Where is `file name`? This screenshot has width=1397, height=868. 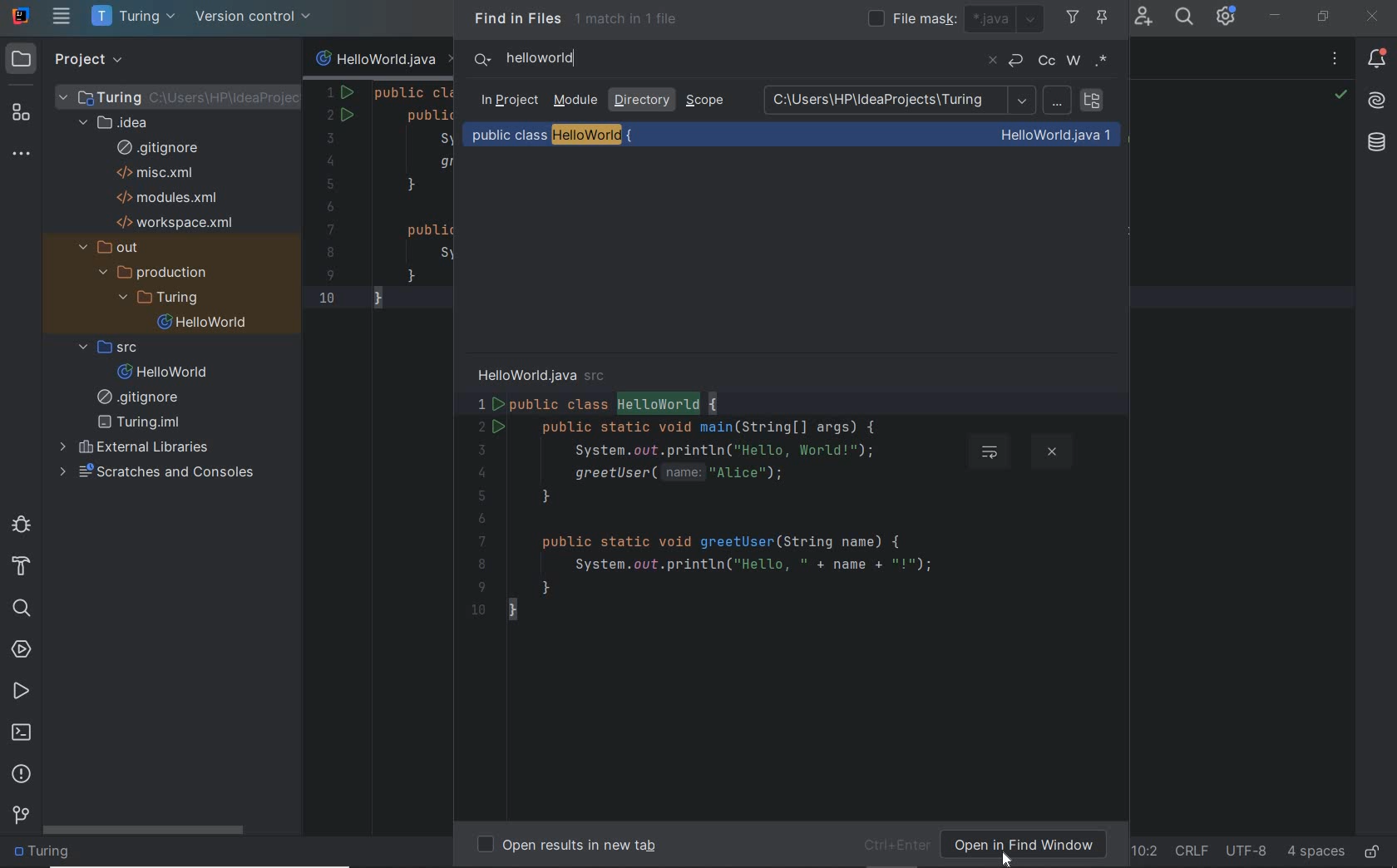 file name is located at coordinates (388, 59).